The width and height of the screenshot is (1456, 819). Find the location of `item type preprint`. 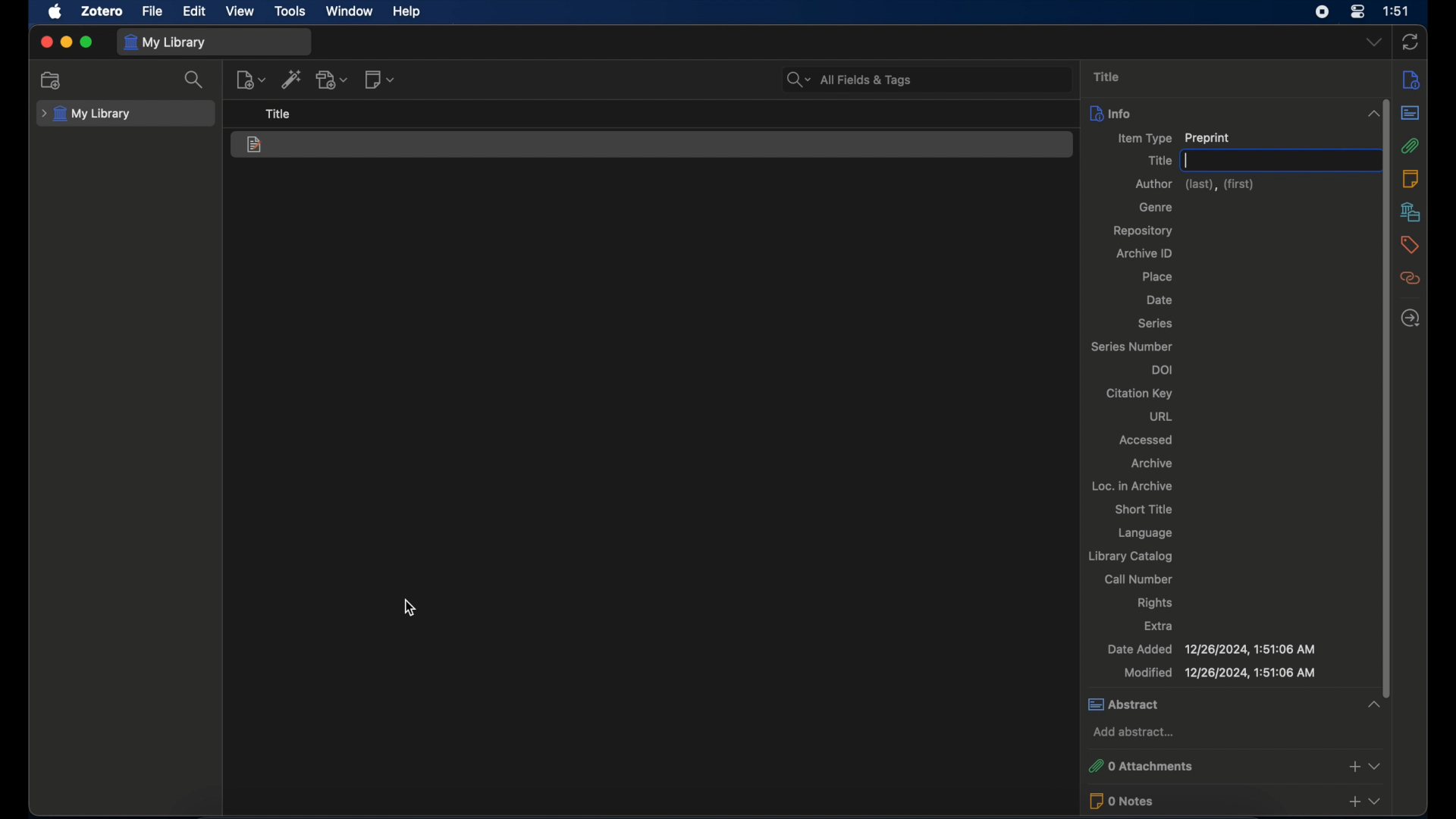

item type preprint is located at coordinates (1174, 138).